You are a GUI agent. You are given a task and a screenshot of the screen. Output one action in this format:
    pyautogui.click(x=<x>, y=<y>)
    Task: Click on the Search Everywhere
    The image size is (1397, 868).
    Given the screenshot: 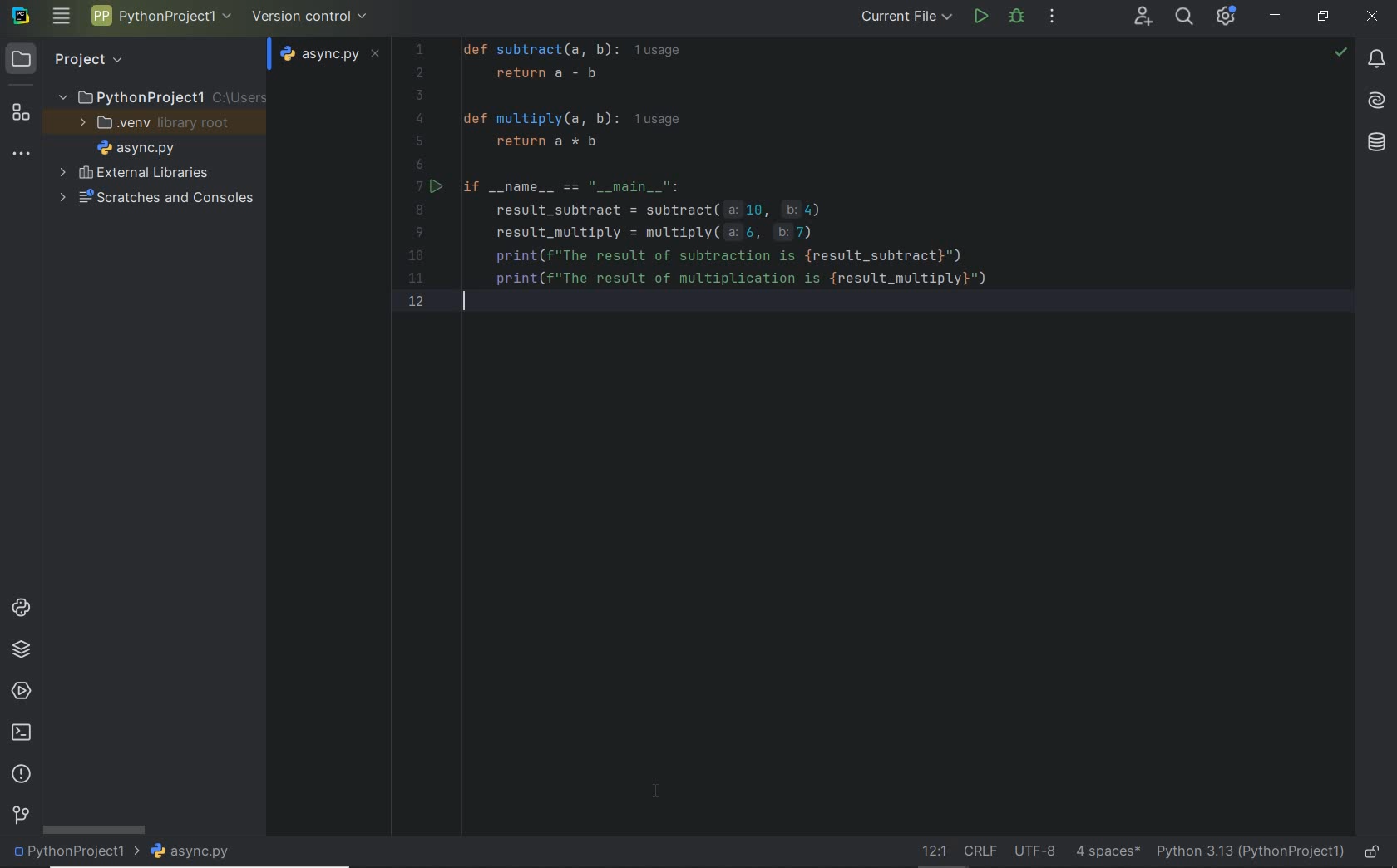 What is the action you would take?
    pyautogui.click(x=1183, y=19)
    